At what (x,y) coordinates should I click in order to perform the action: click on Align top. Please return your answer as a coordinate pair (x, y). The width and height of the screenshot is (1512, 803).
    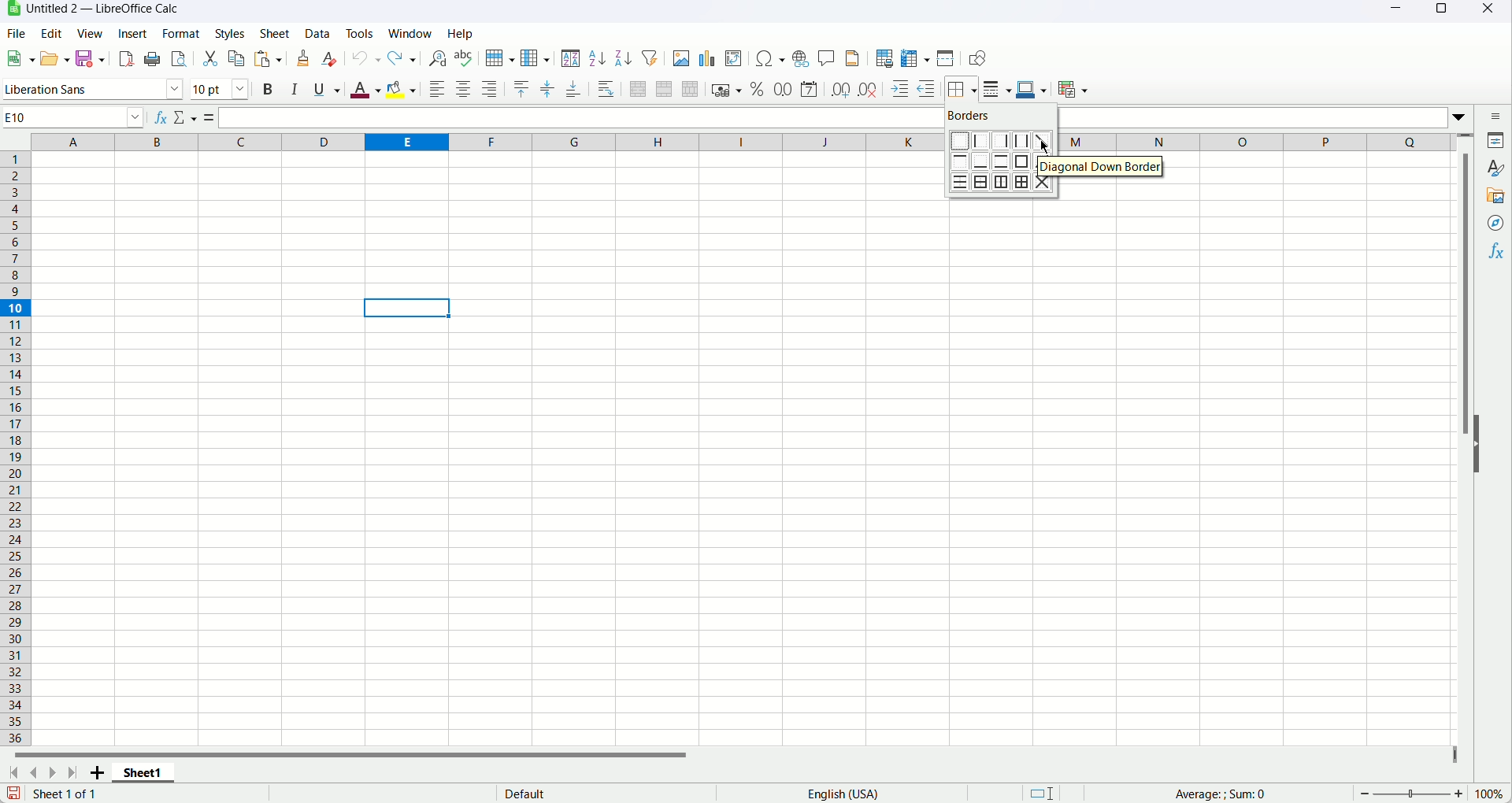
    Looking at the image, I should click on (520, 87).